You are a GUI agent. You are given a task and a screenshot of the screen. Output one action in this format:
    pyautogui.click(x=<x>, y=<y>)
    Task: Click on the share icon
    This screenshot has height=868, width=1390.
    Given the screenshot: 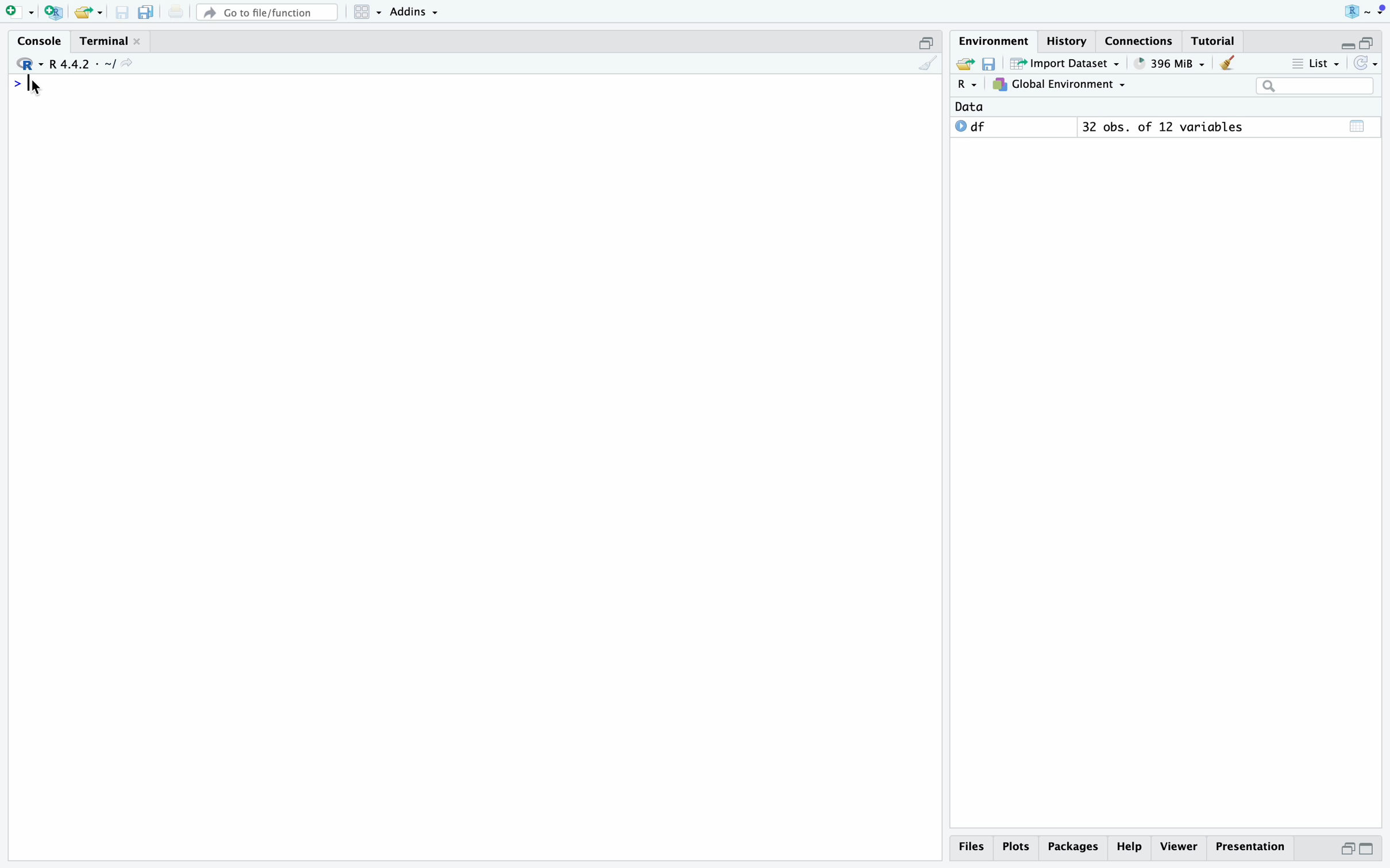 What is the action you would take?
    pyautogui.click(x=128, y=63)
    